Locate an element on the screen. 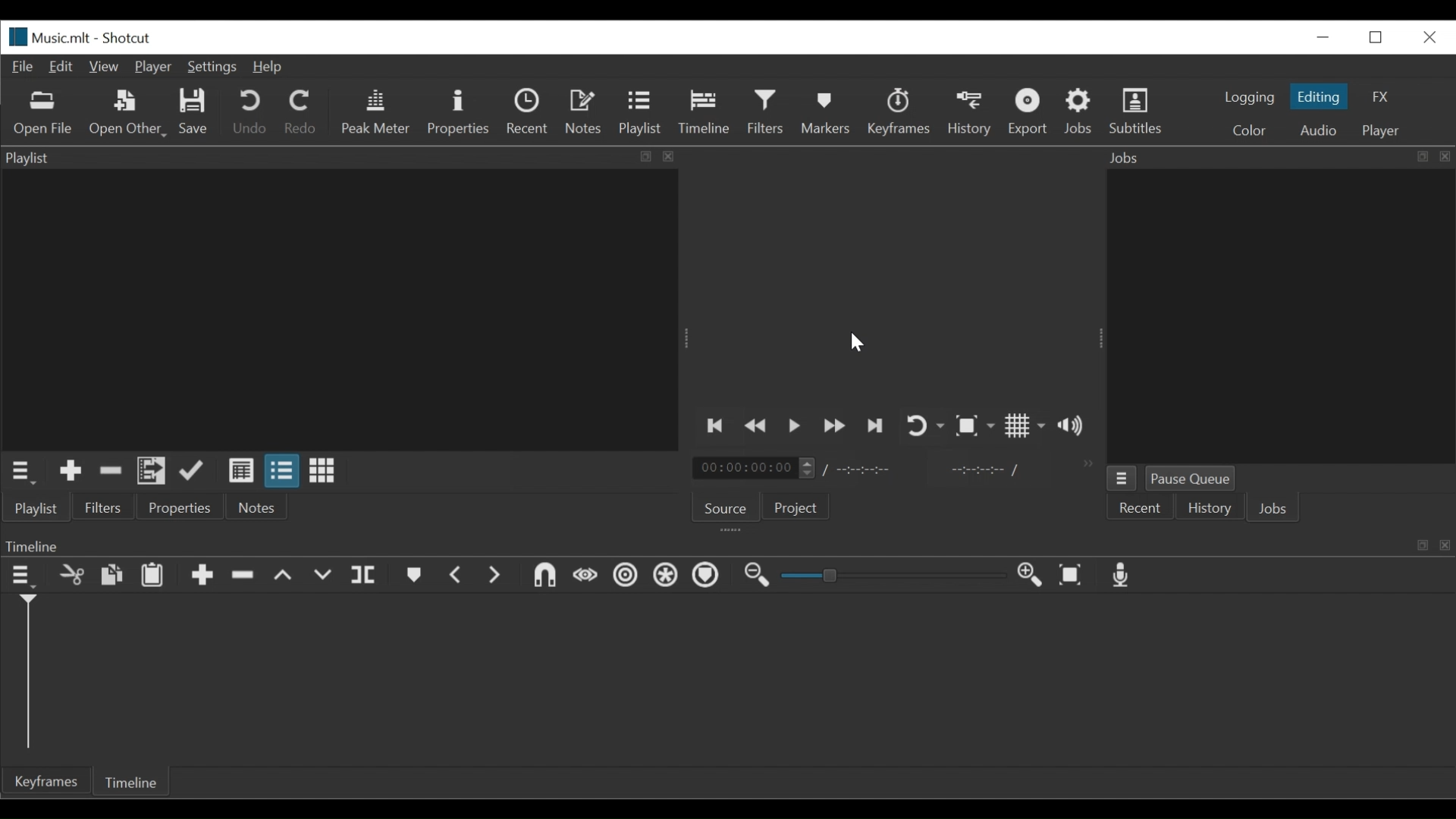  Toggle Zoom is located at coordinates (975, 425).